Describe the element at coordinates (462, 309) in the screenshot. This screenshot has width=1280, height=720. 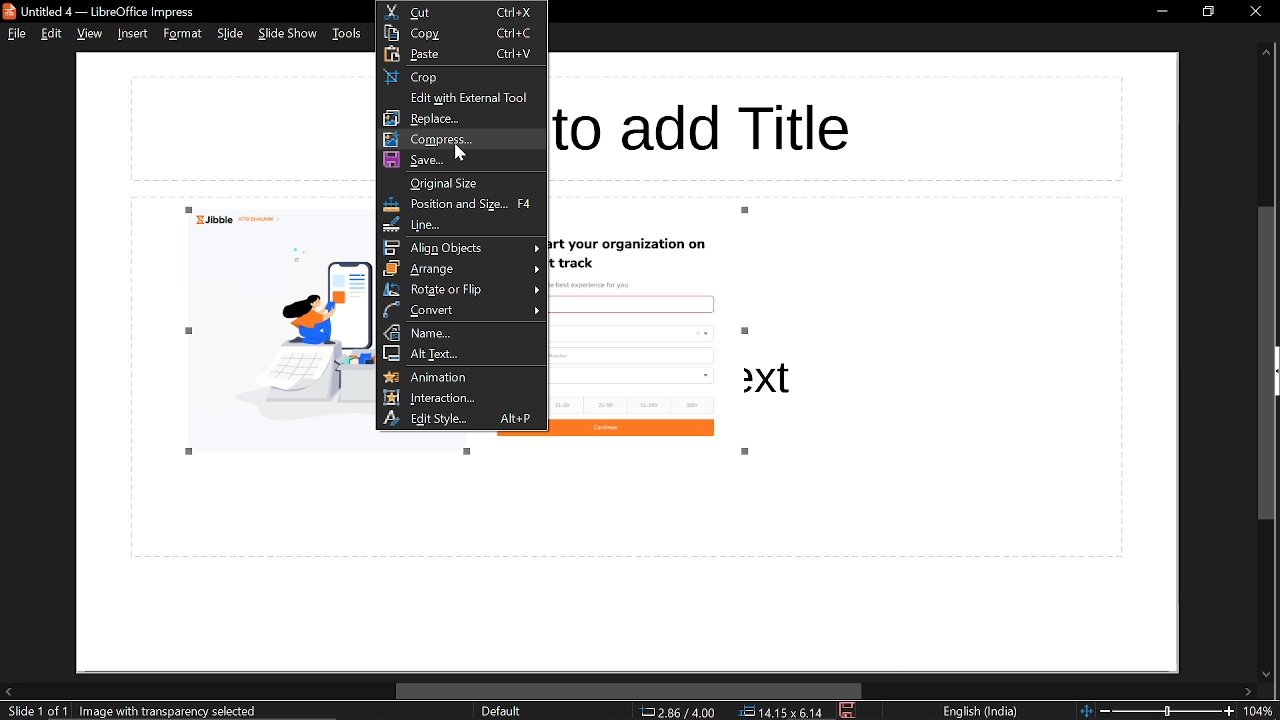
I see `convert` at that location.